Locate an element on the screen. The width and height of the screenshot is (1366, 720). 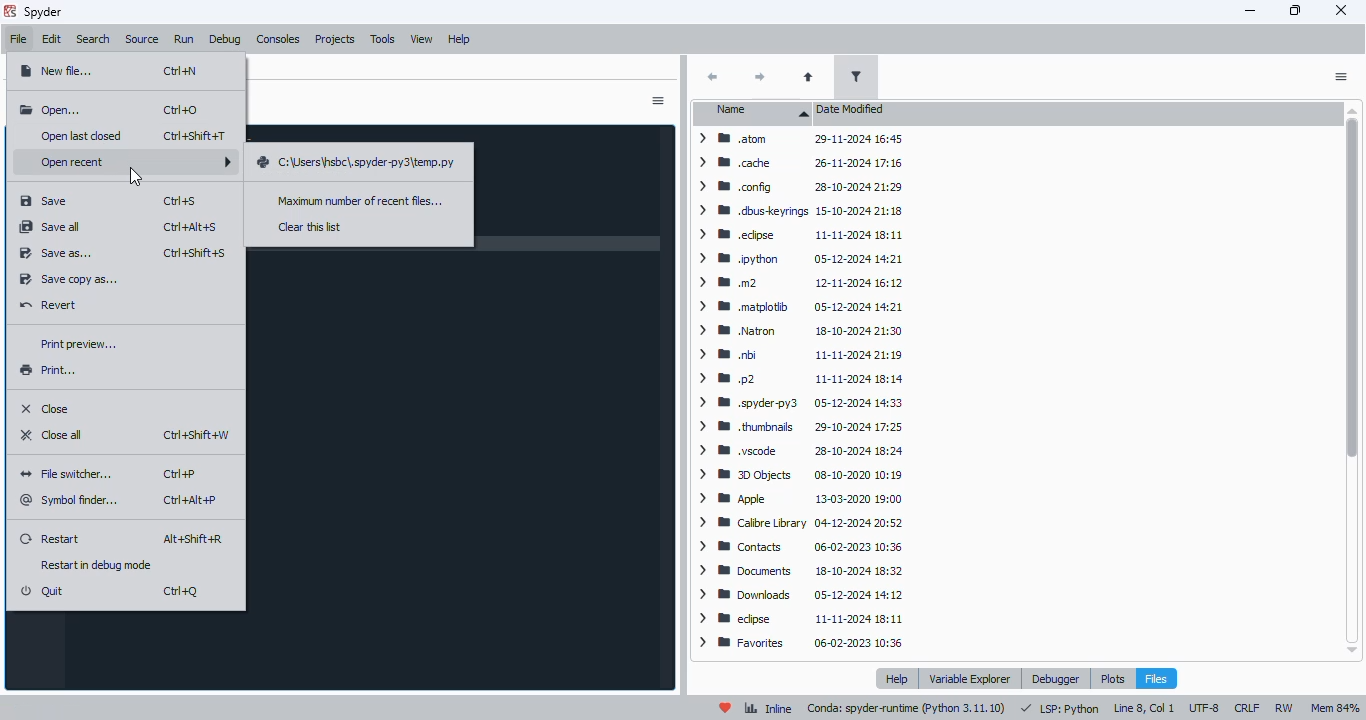
shortcut for new file is located at coordinates (181, 71).